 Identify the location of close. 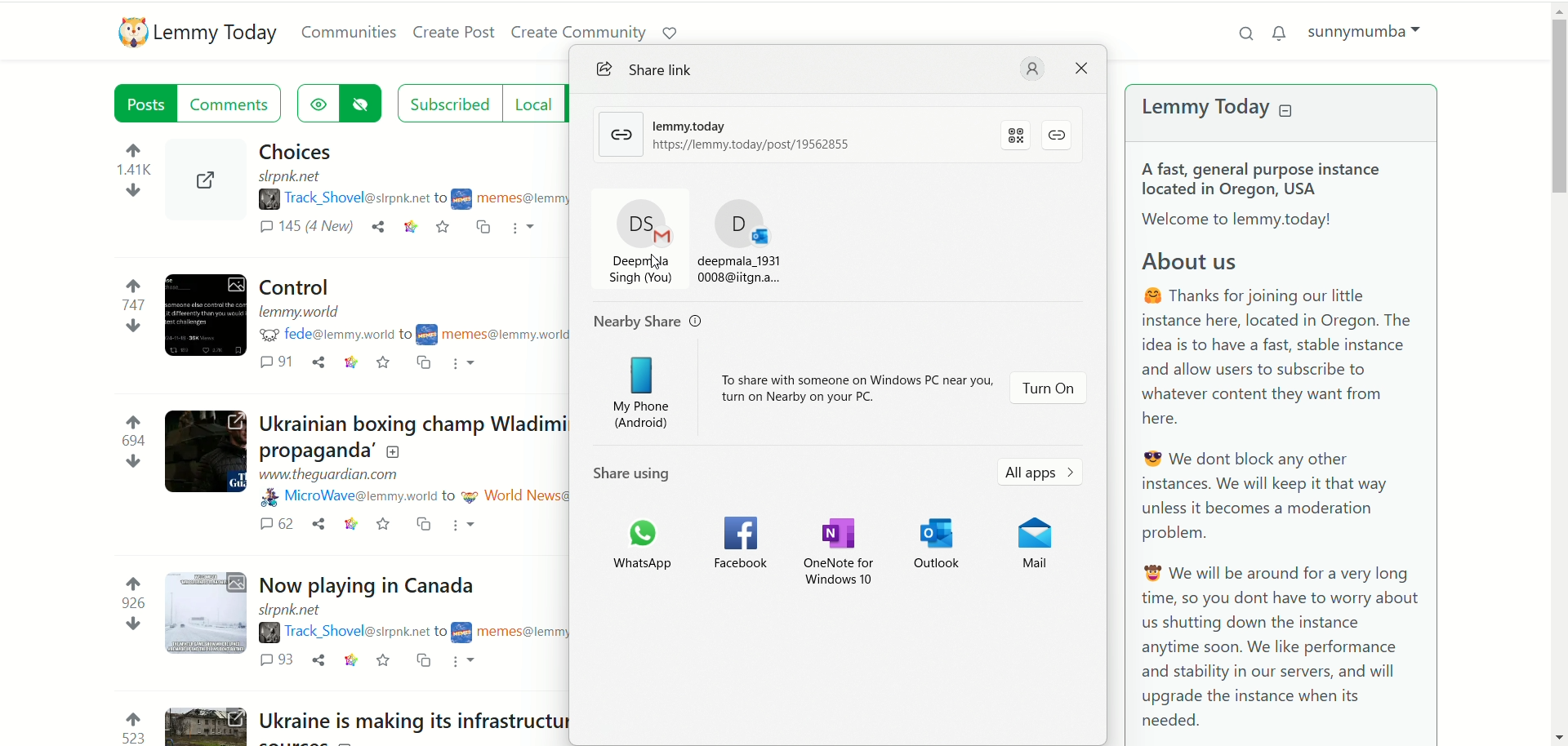
(1085, 69).